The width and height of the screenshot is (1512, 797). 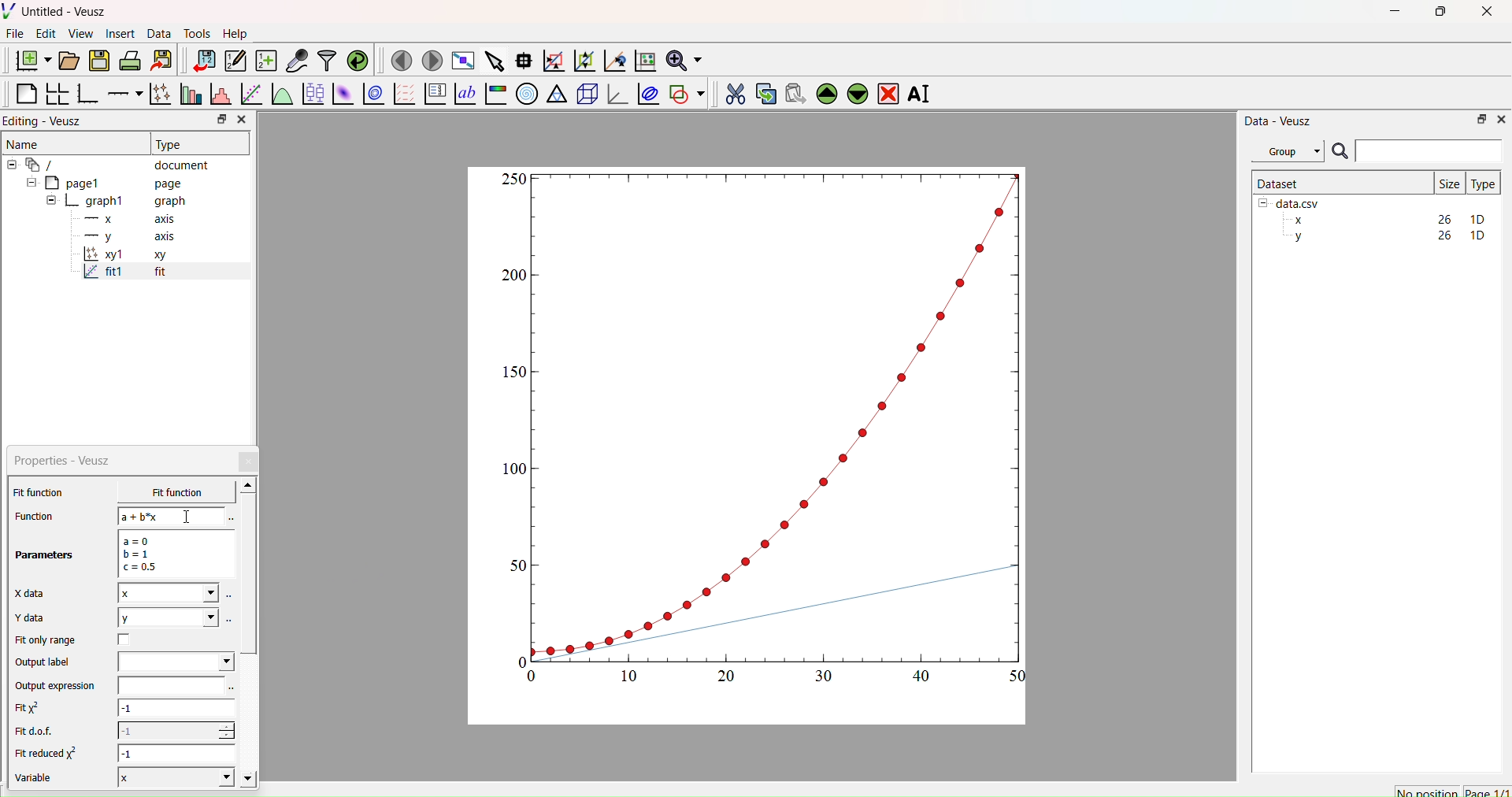 I want to click on Cut, so click(x=730, y=91).